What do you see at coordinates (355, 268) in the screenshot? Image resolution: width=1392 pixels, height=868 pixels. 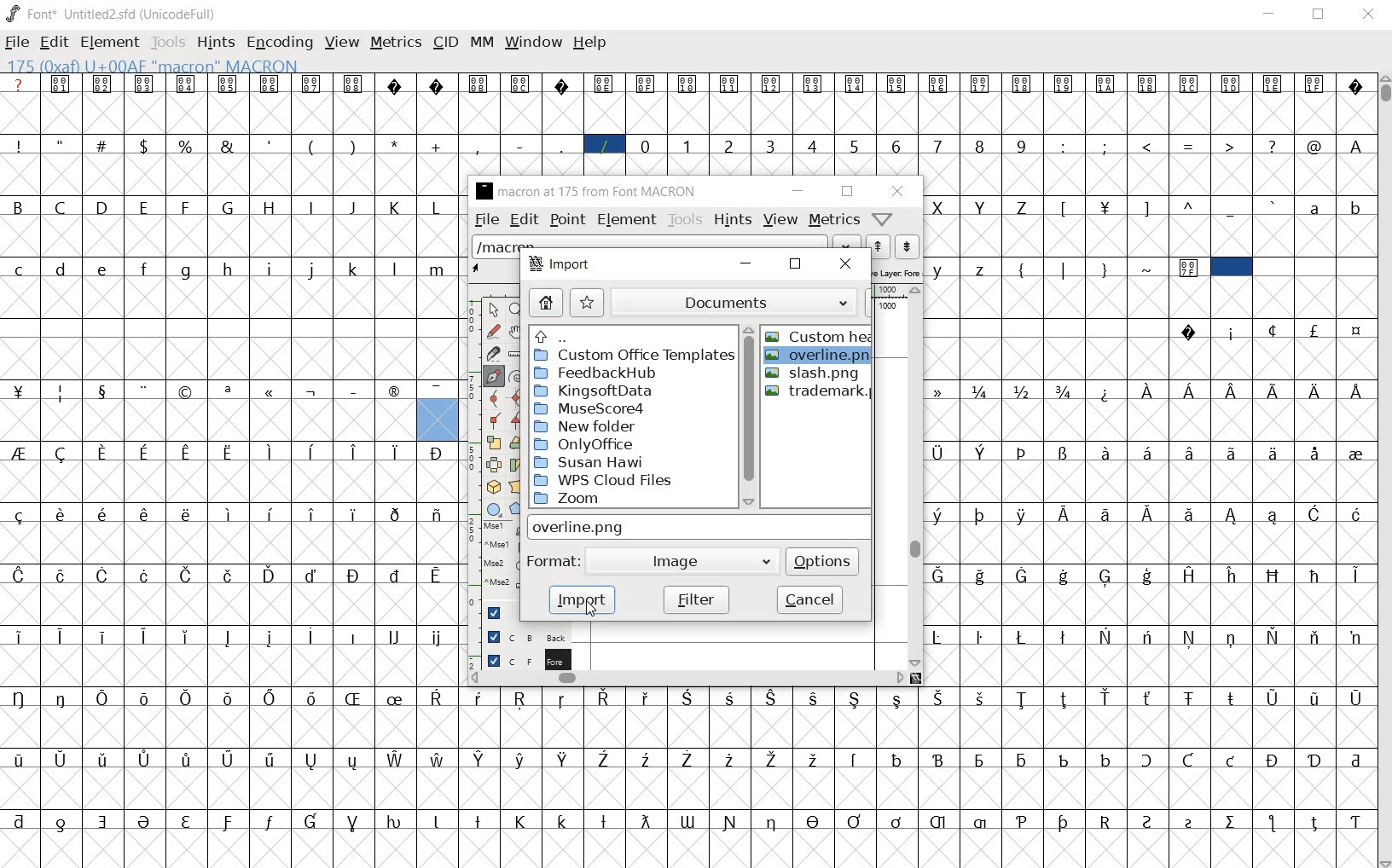 I see `k` at bounding box center [355, 268].